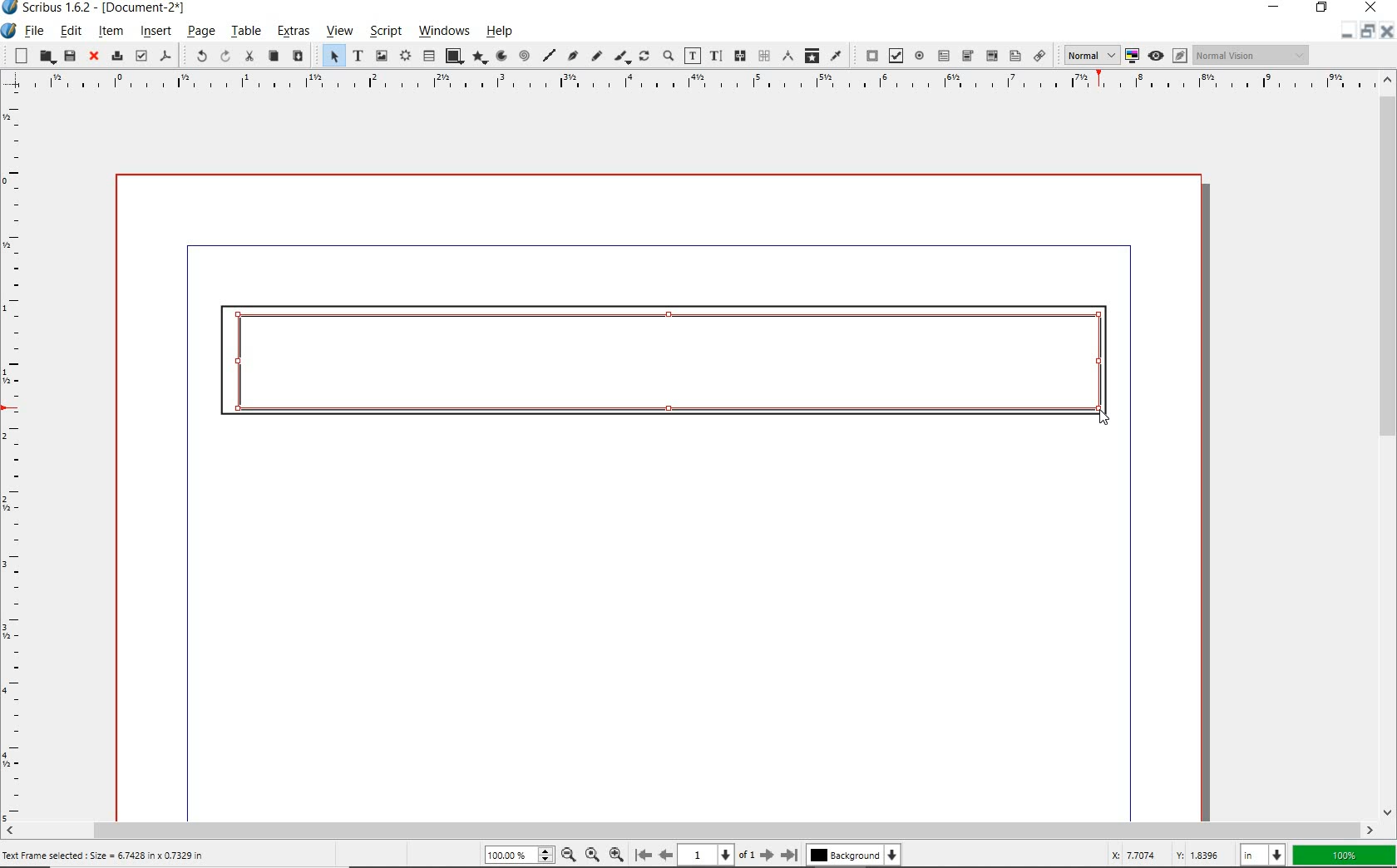  Describe the element at coordinates (72, 31) in the screenshot. I see `edit` at that location.